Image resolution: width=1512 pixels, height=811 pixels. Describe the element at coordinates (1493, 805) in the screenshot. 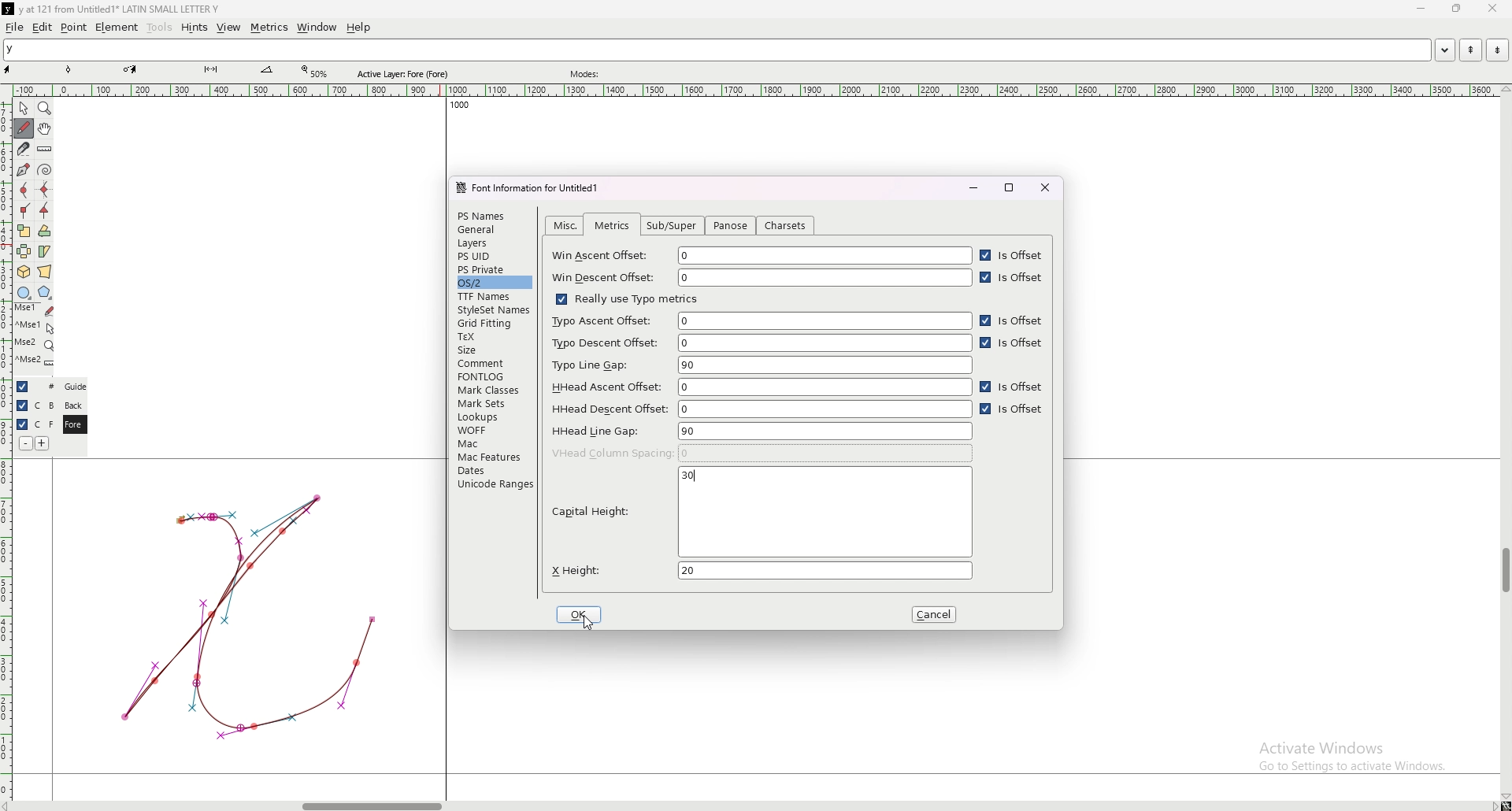

I see `scroll right` at that location.